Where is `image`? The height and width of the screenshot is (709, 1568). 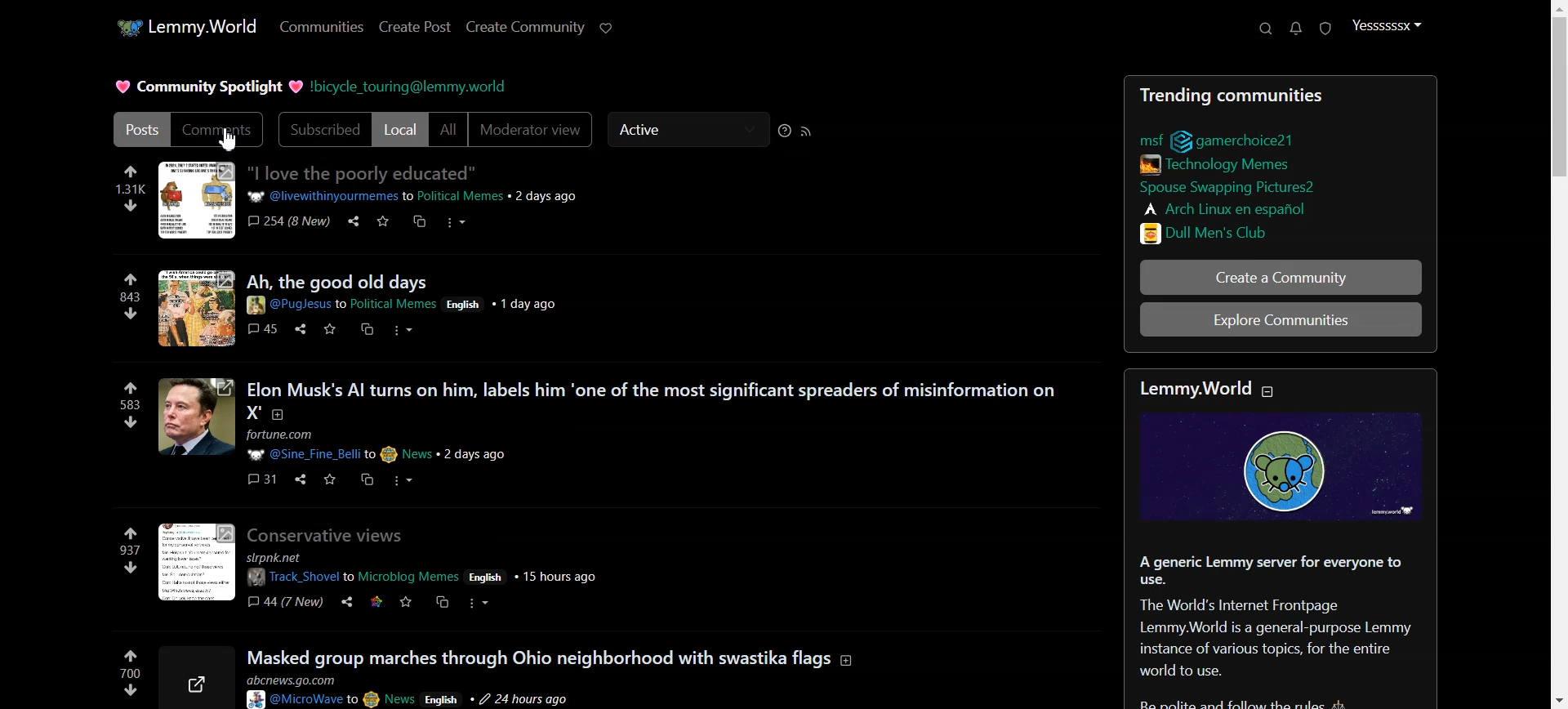 image is located at coordinates (197, 309).